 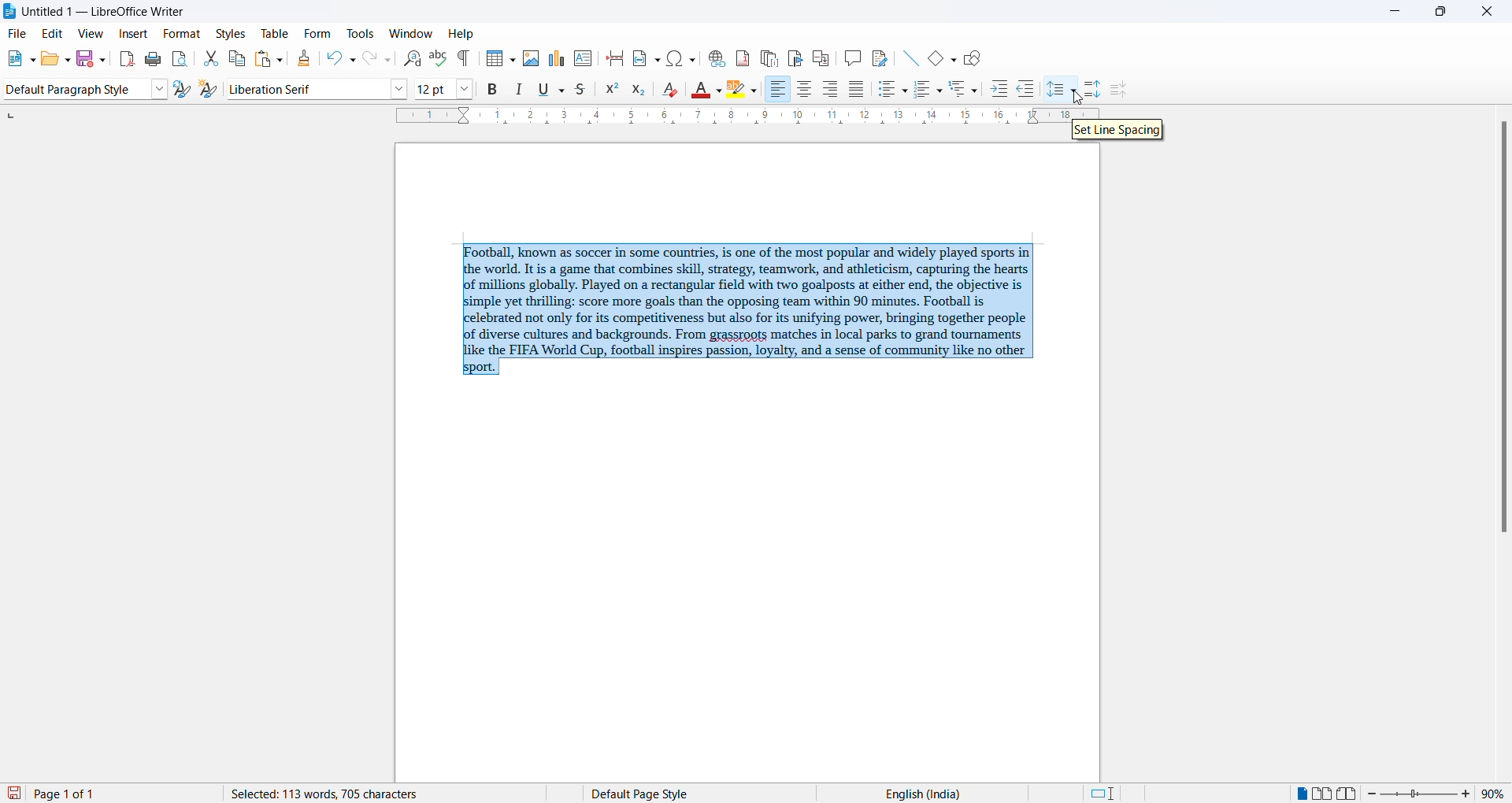 I want to click on book view, so click(x=1349, y=794).